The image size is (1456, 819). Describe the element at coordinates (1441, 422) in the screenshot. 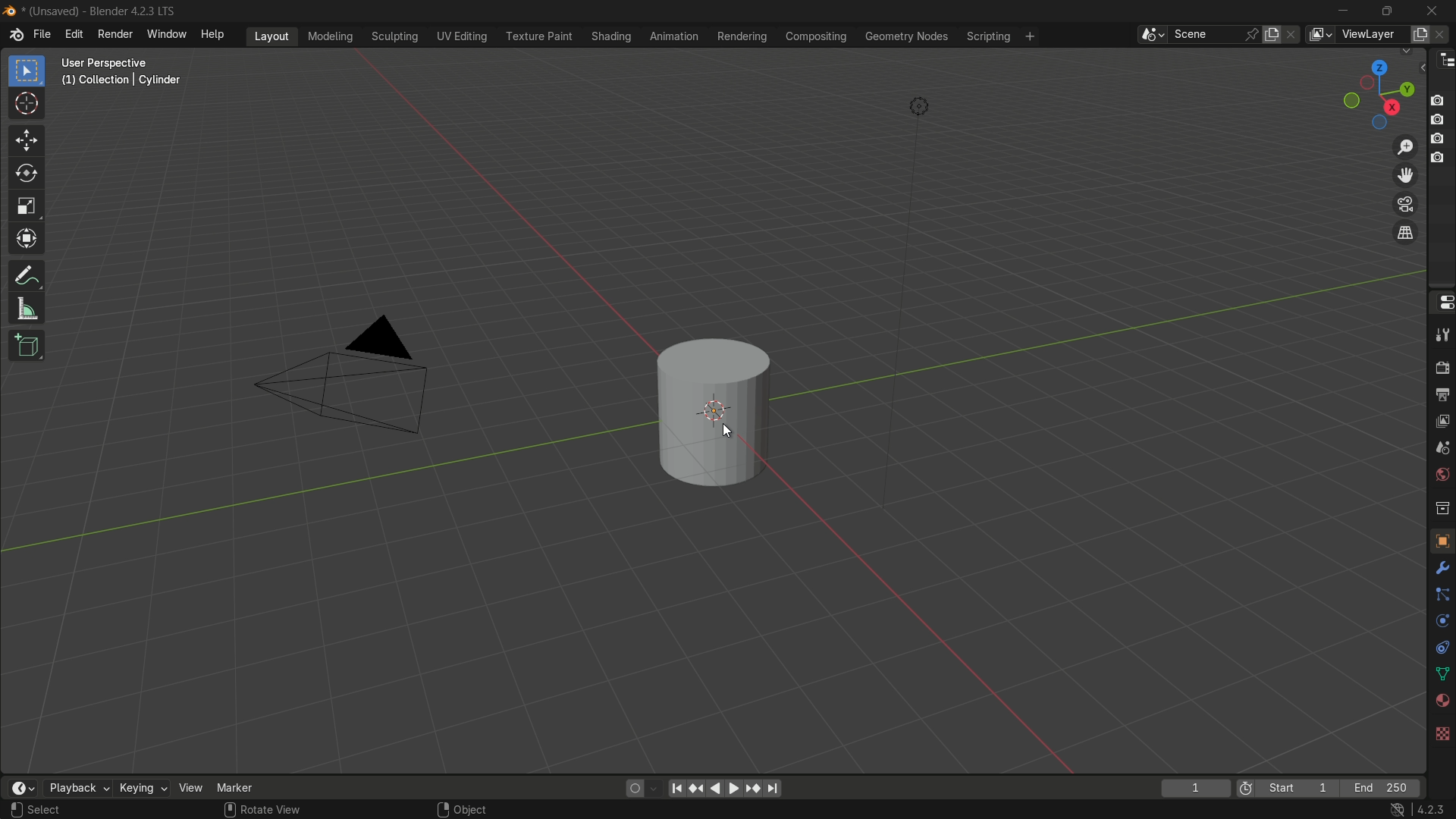

I see `view layer` at that location.